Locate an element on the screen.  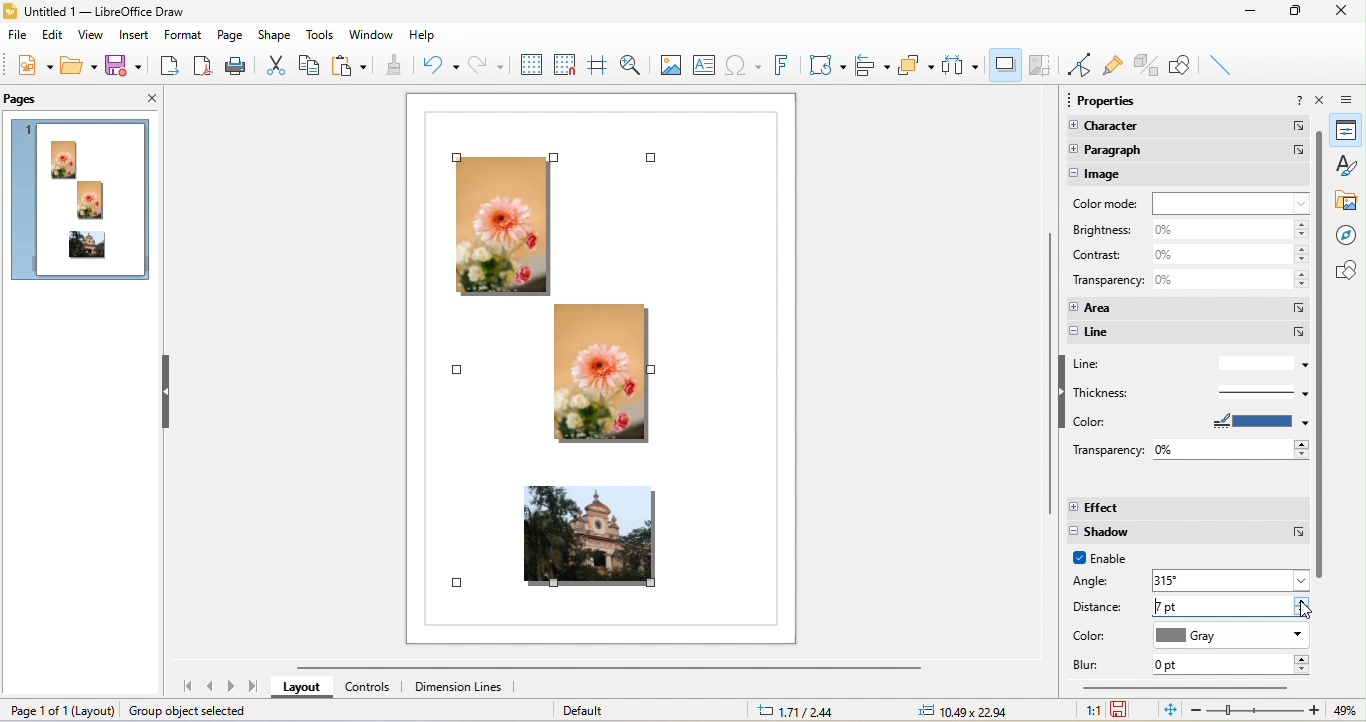
close is located at coordinates (143, 99).